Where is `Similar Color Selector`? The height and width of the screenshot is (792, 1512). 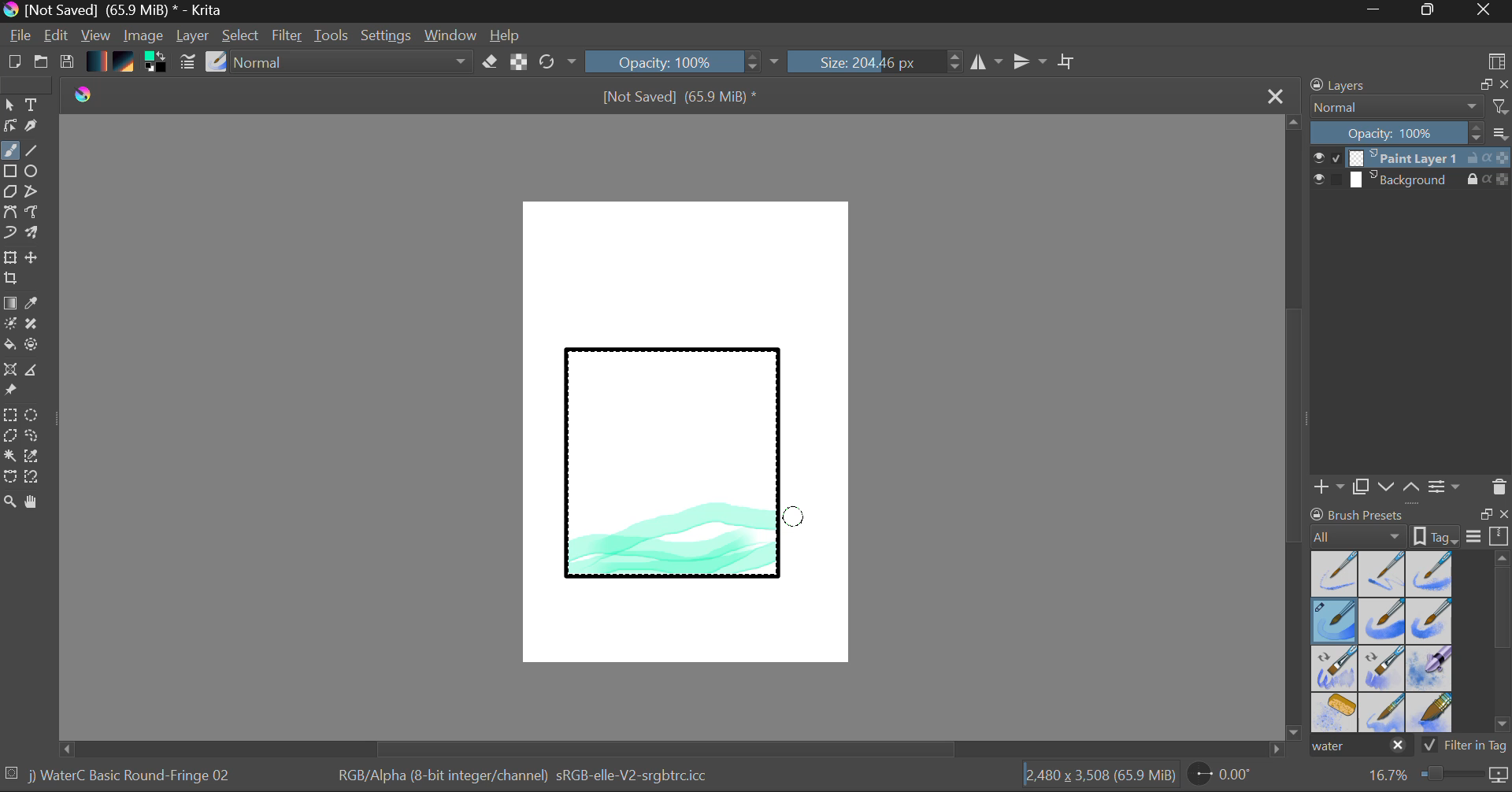
Similar Color Selector is located at coordinates (36, 457).